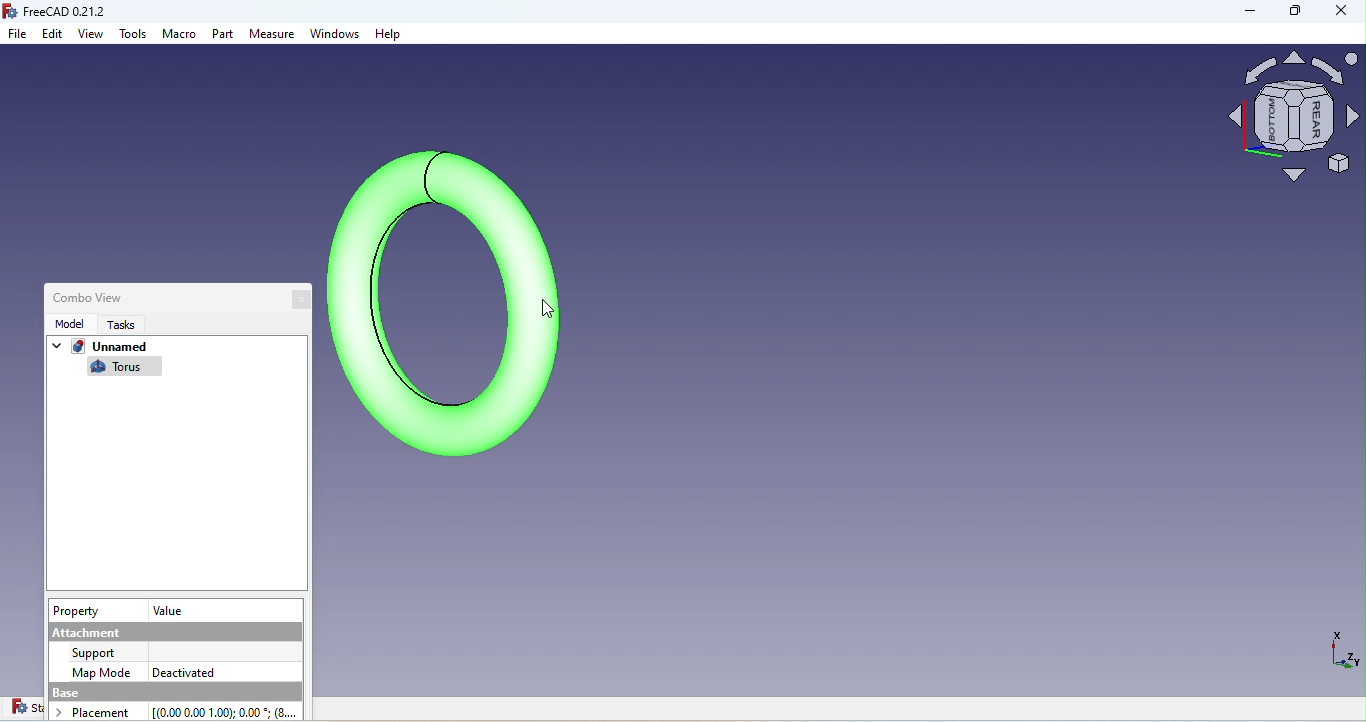 The width and height of the screenshot is (1366, 722). Describe the element at coordinates (103, 671) in the screenshot. I see `Map Mode` at that location.